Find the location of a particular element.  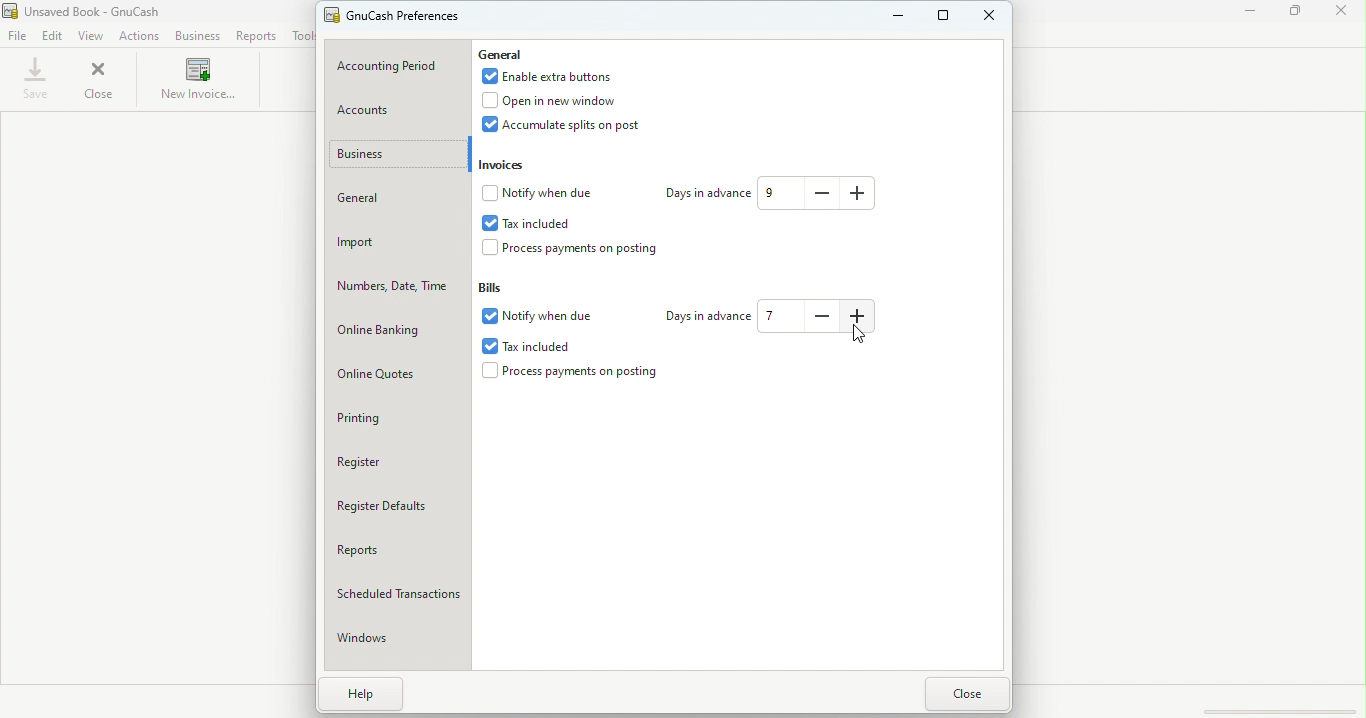

Accounts is located at coordinates (398, 112).